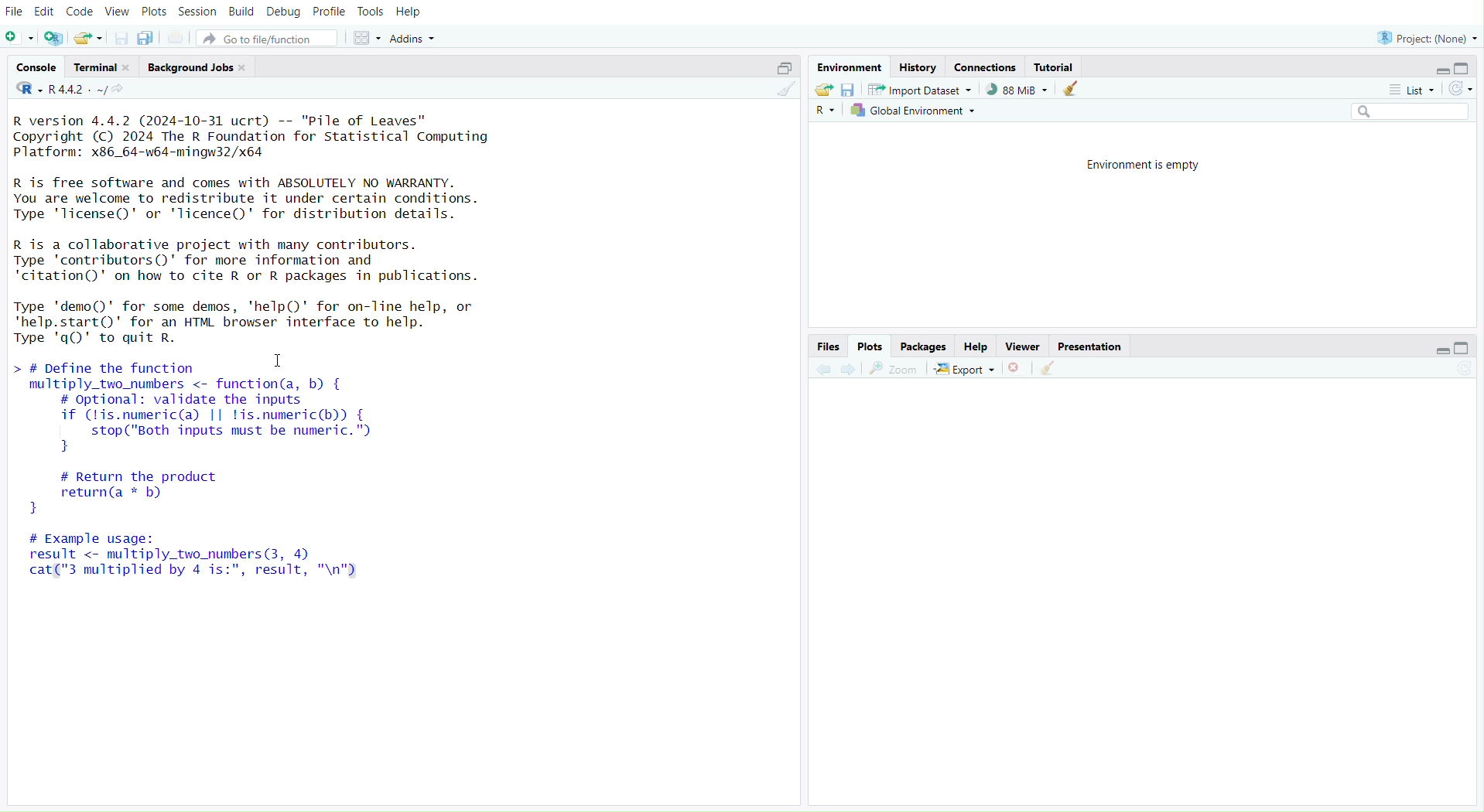  What do you see at coordinates (1014, 90) in the screenshot?
I see `88kib used by R session (Source: Windows System)` at bounding box center [1014, 90].